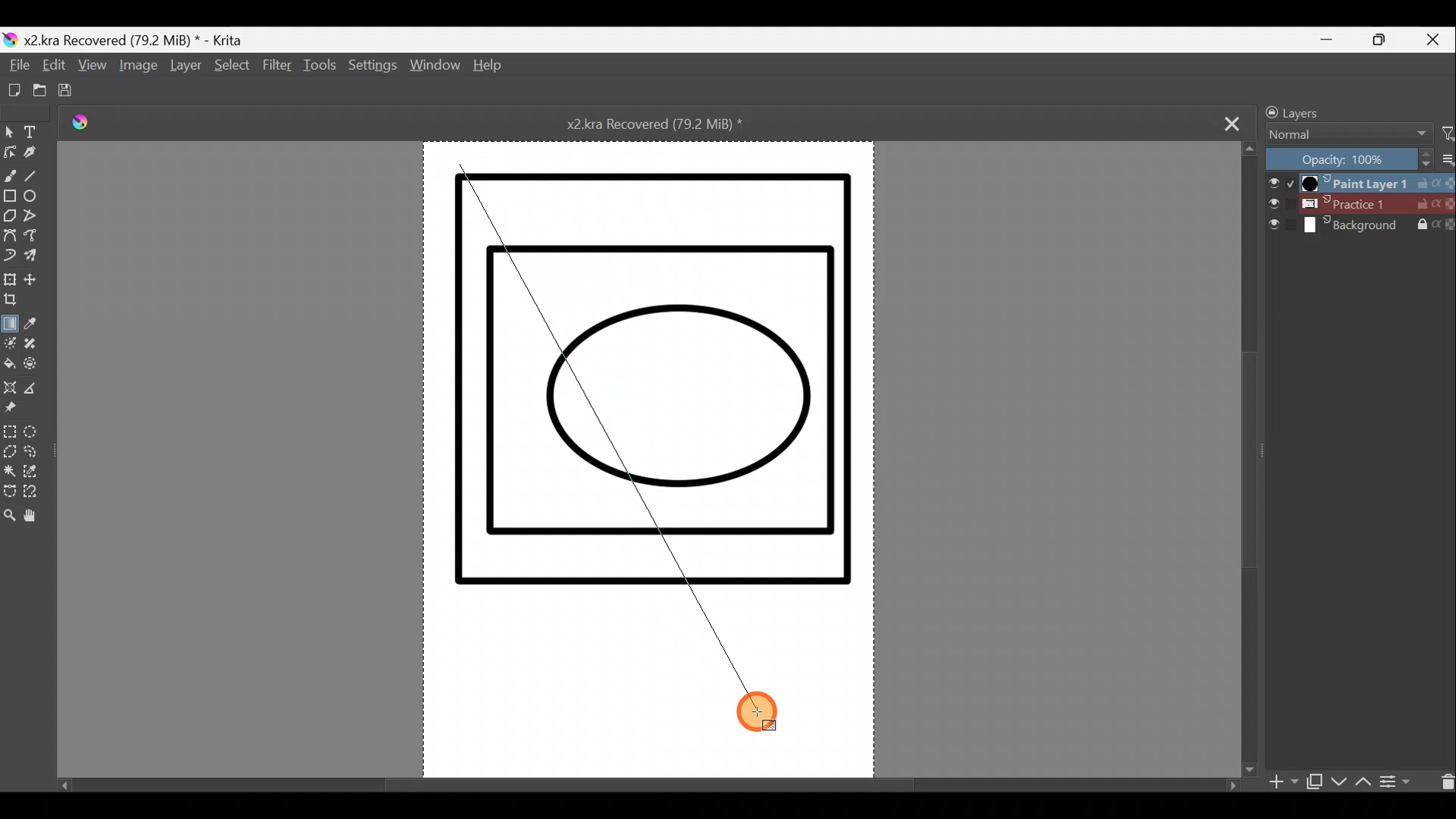  What do you see at coordinates (9, 133) in the screenshot?
I see `Select shapes tool` at bounding box center [9, 133].